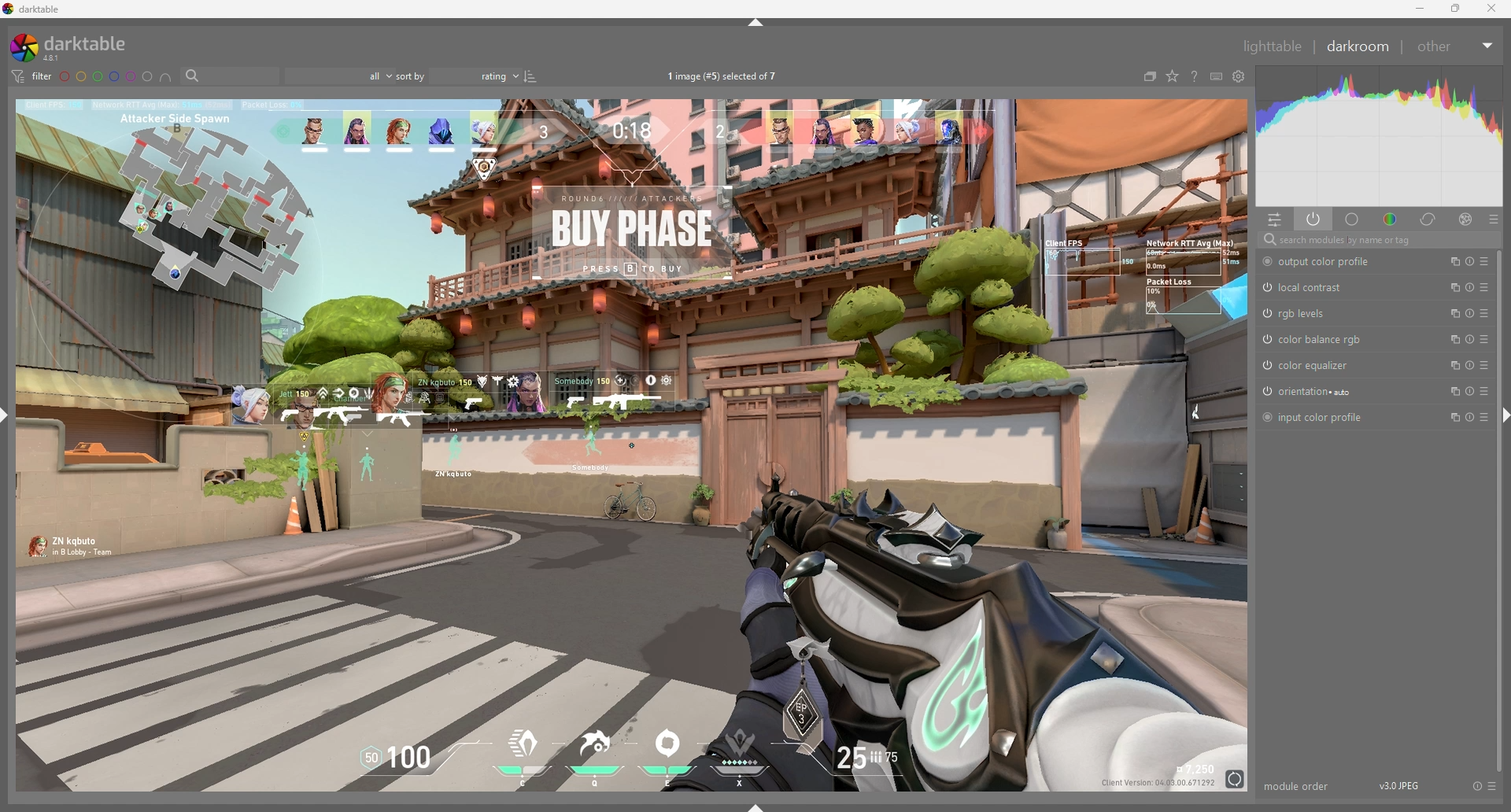 The width and height of the screenshot is (1511, 812). I want to click on active modules, so click(1314, 219).